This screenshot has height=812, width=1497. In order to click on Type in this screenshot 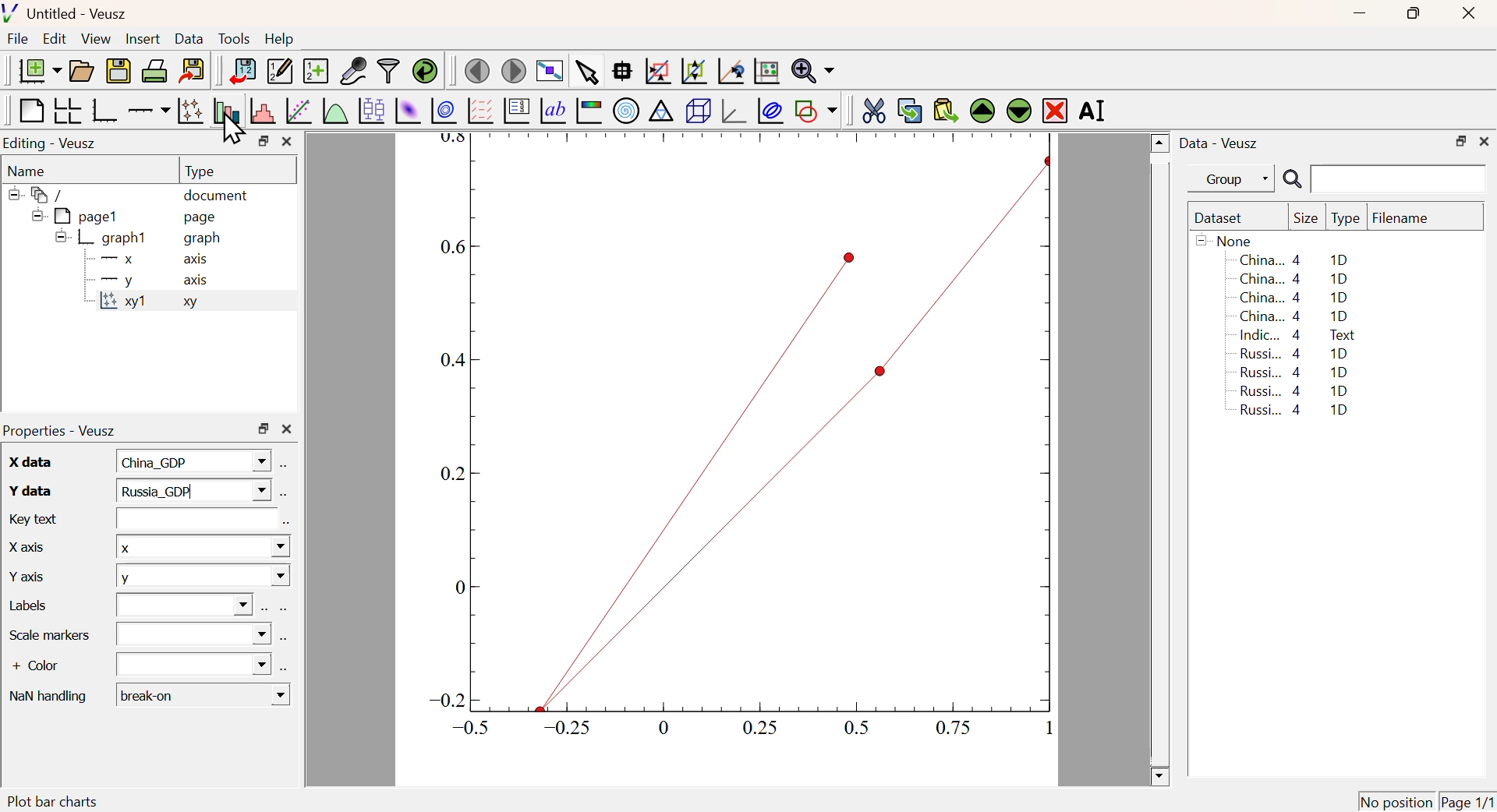, I will do `click(1346, 219)`.